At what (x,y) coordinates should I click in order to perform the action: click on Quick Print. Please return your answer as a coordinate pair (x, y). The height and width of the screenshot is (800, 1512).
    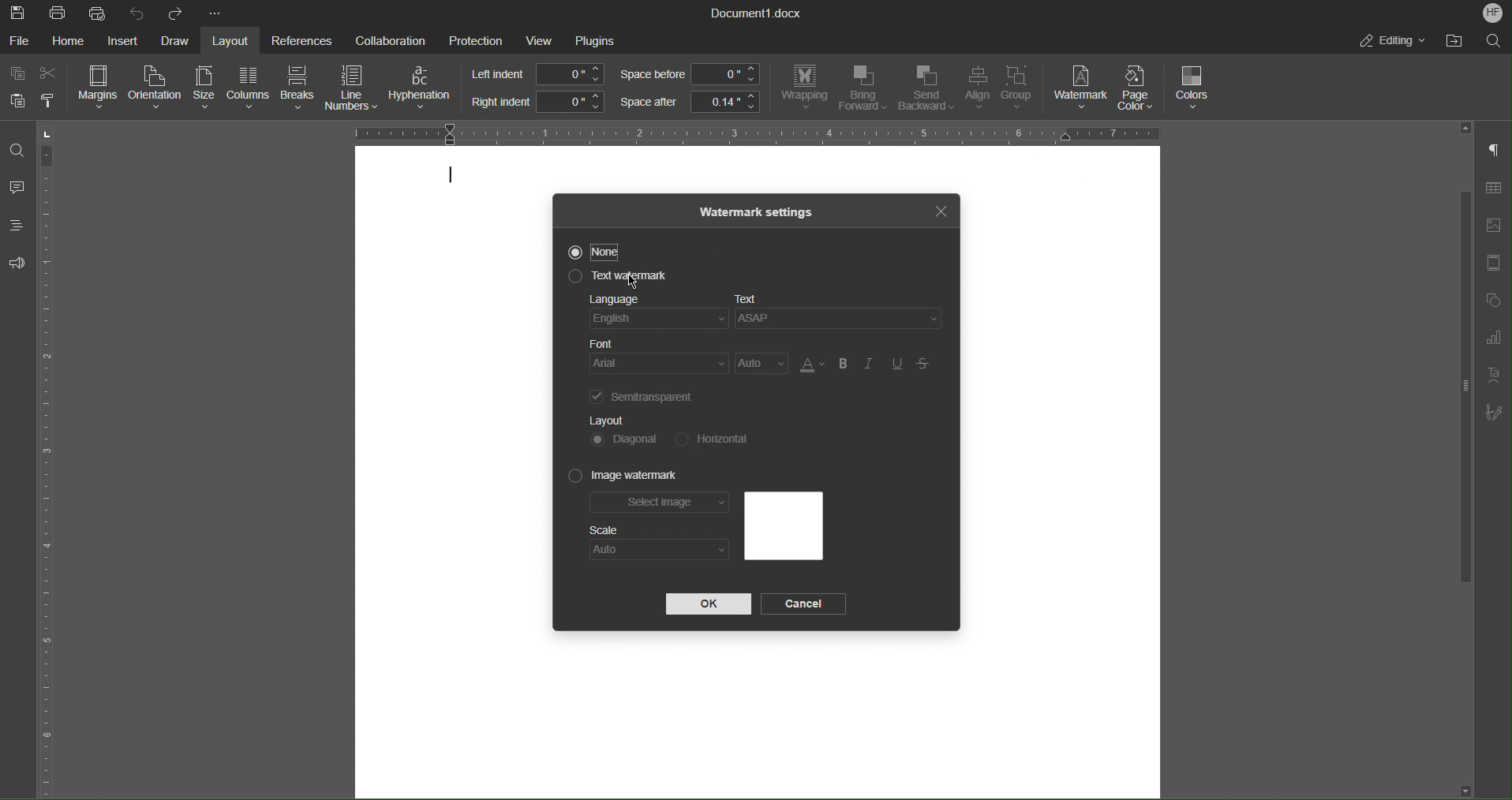
    Looking at the image, I should click on (99, 13).